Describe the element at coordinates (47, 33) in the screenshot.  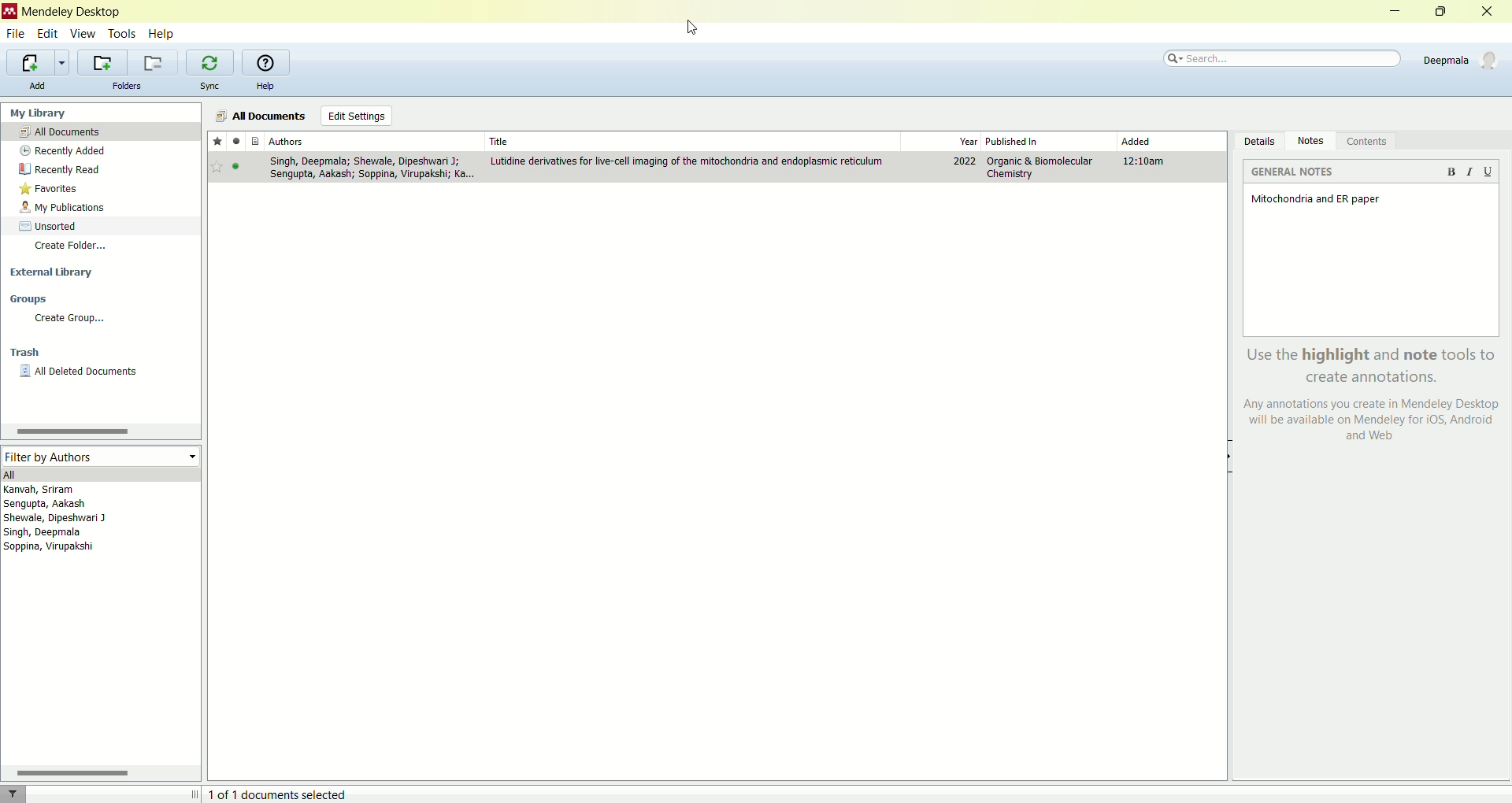
I see `edit` at that location.